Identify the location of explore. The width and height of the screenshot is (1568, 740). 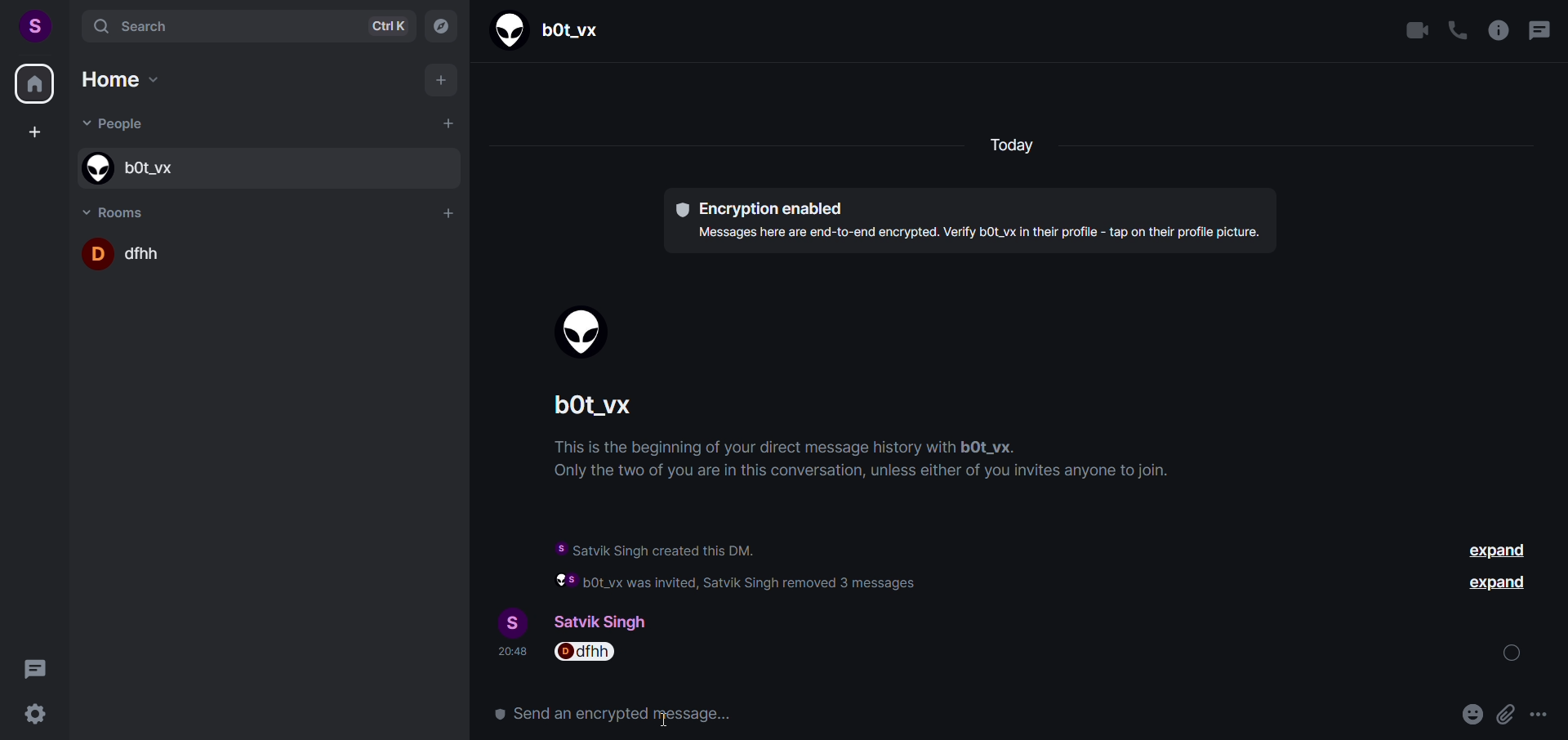
(440, 25).